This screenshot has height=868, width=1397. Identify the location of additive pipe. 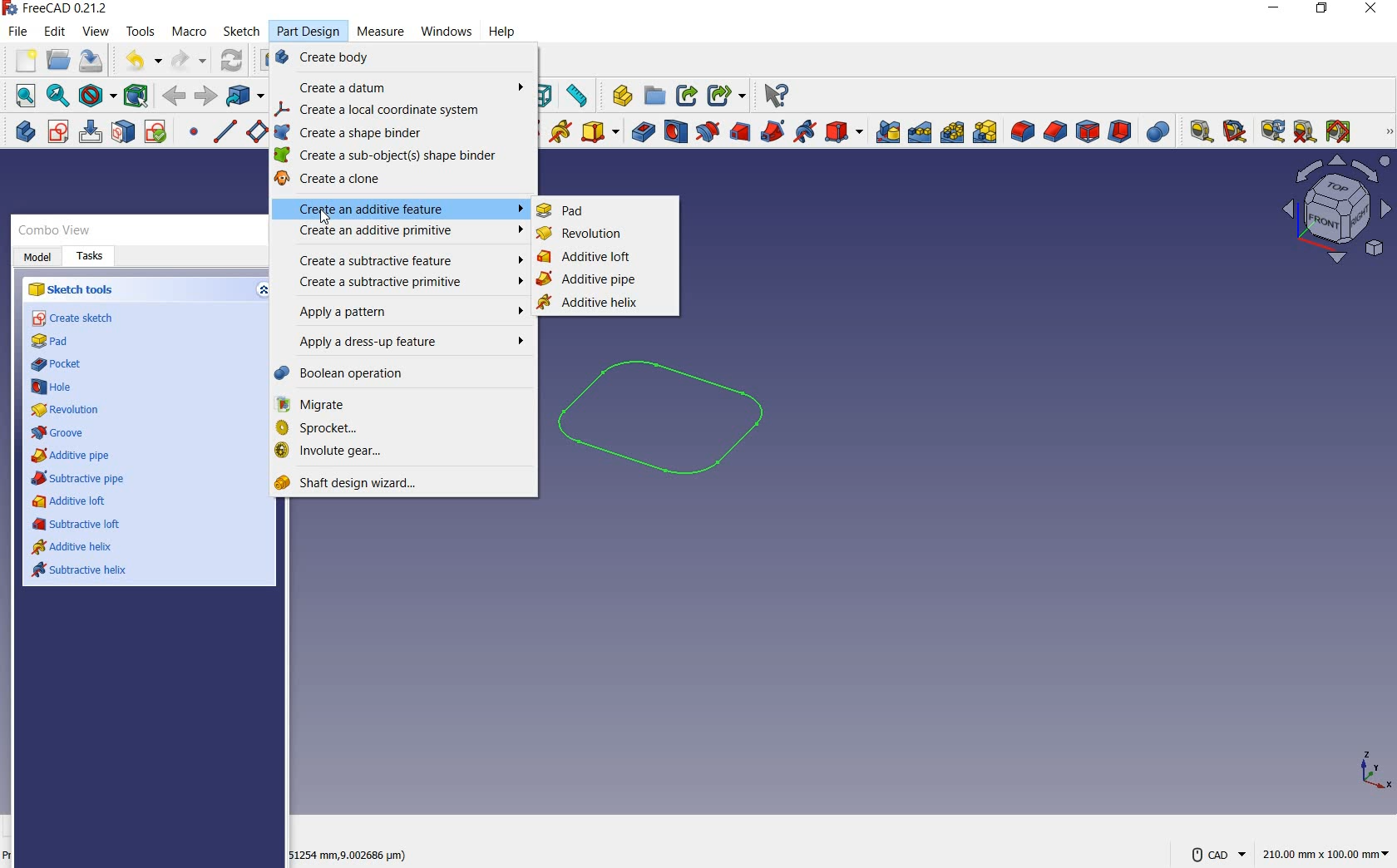
(73, 456).